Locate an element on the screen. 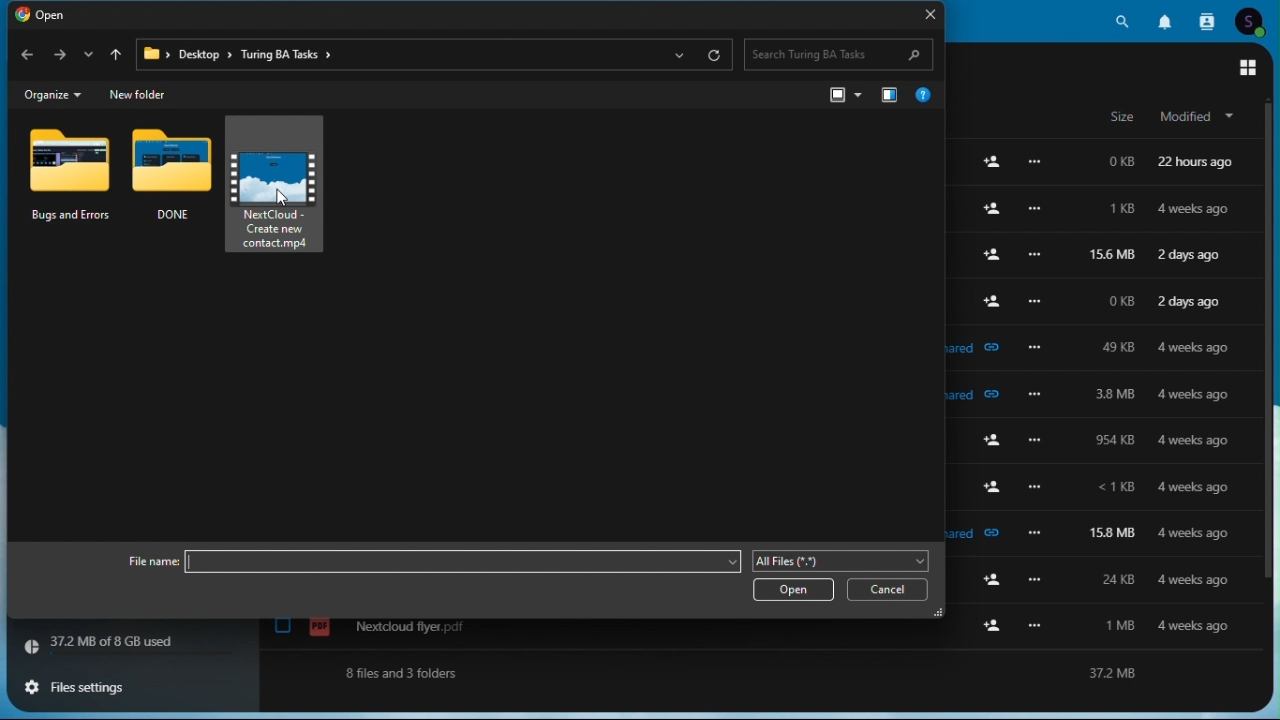 This screenshot has width=1280, height=720. add user is located at coordinates (995, 625).